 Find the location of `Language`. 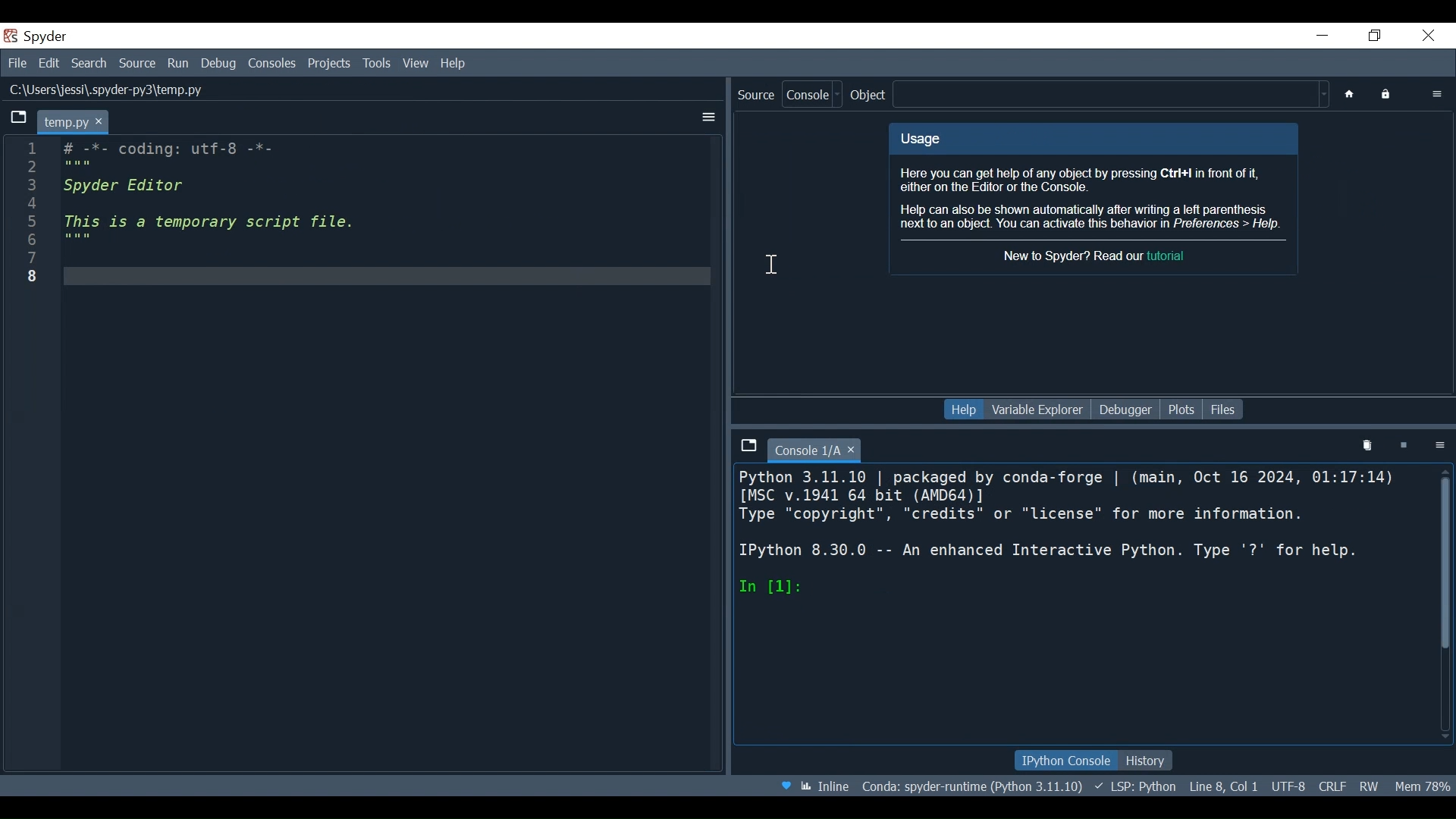

Language is located at coordinates (1134, 786).